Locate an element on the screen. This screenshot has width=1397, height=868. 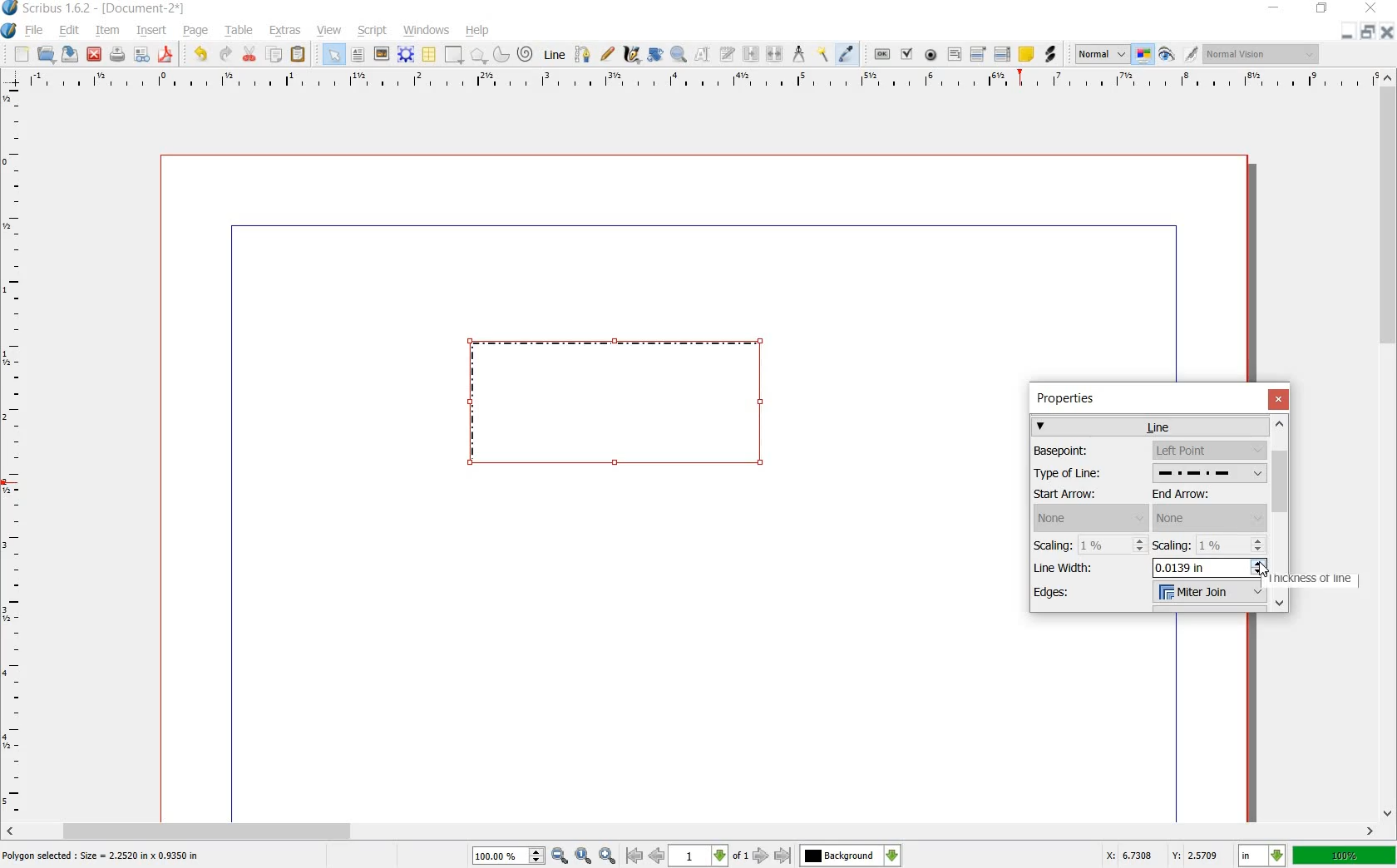
HELP is located at coordinates (477, 32).